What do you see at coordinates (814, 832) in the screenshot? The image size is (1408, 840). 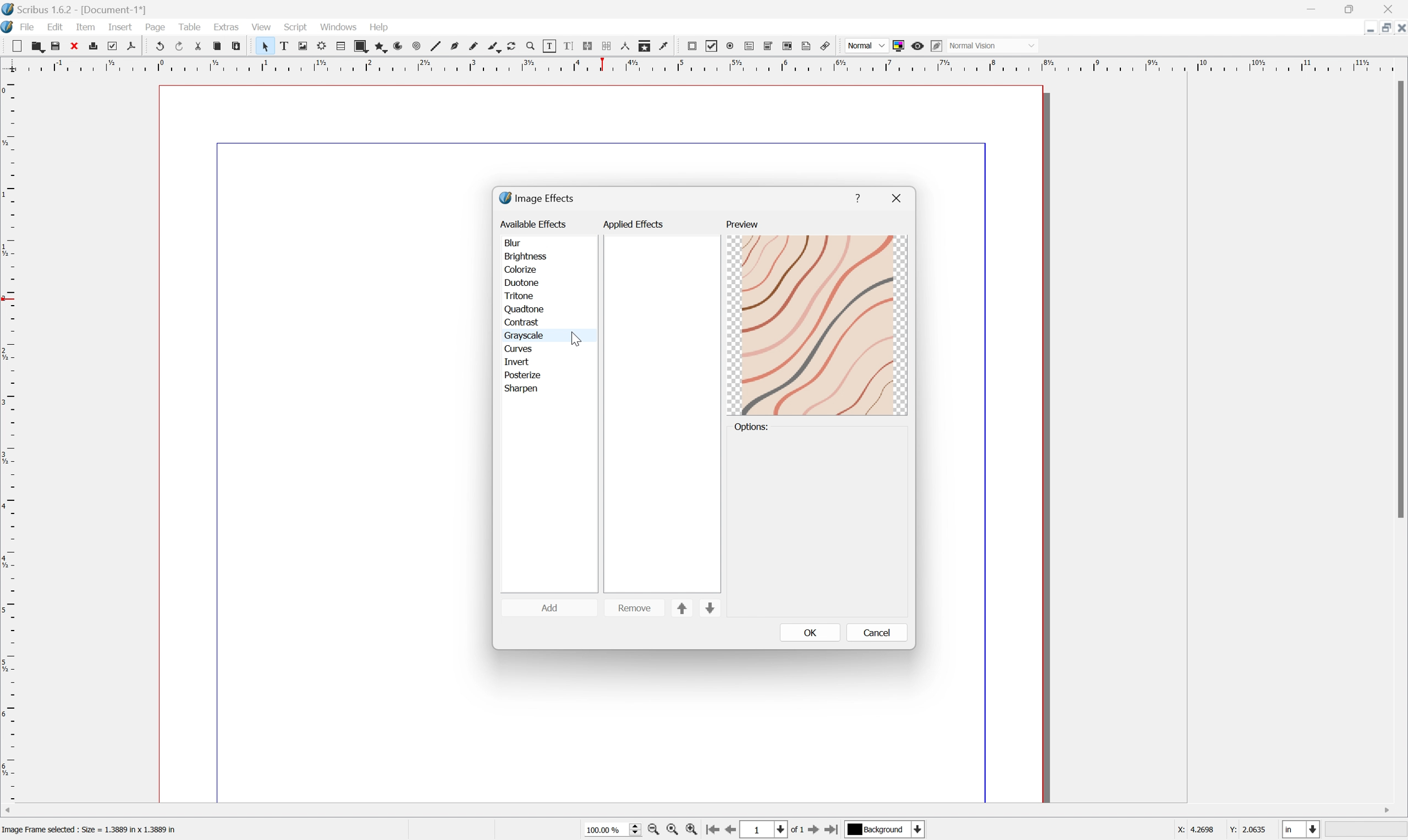 I see `Go to the next page` at bounding box center [814, 832].